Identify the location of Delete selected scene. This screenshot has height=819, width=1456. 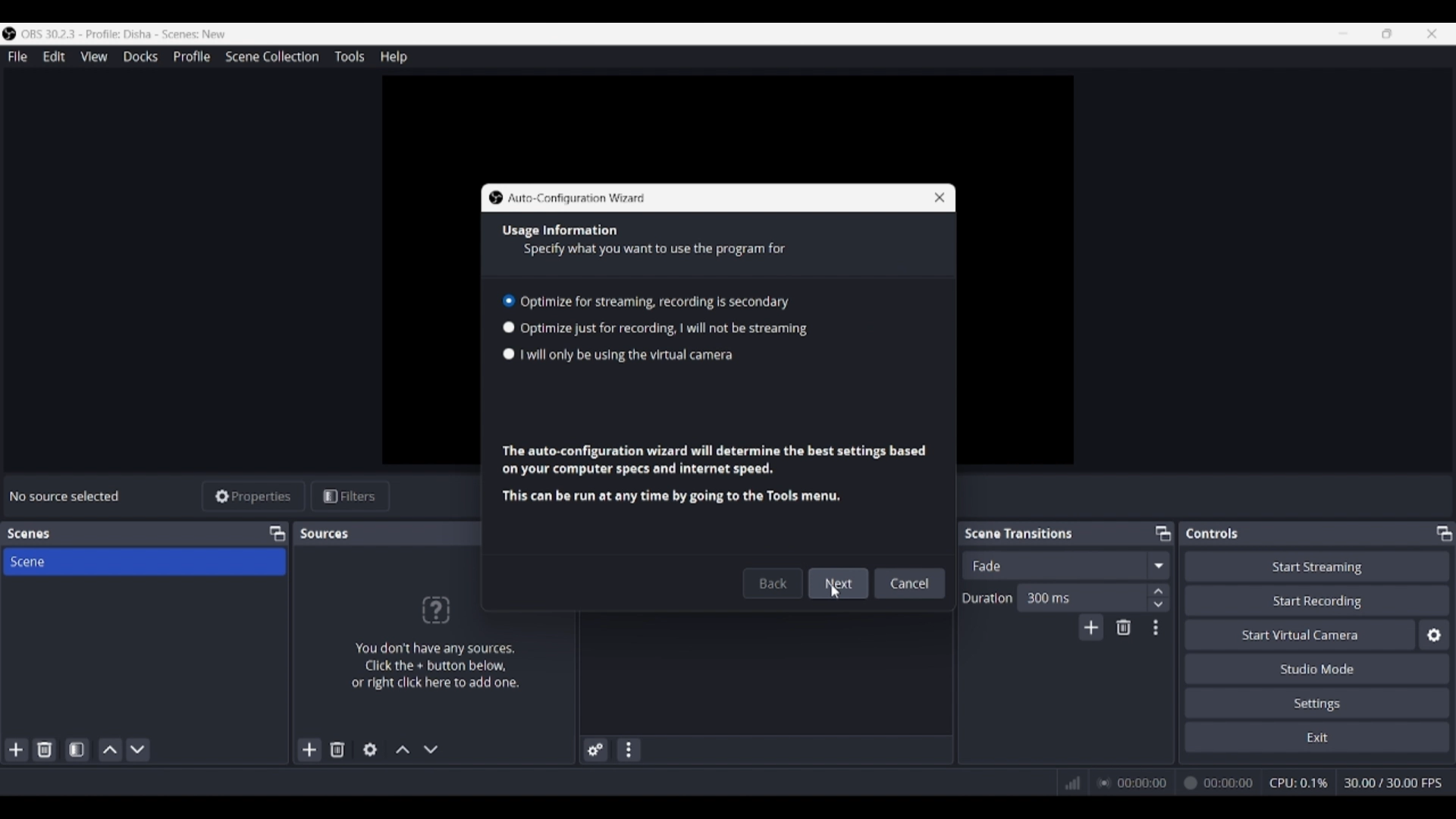
(44, 749).